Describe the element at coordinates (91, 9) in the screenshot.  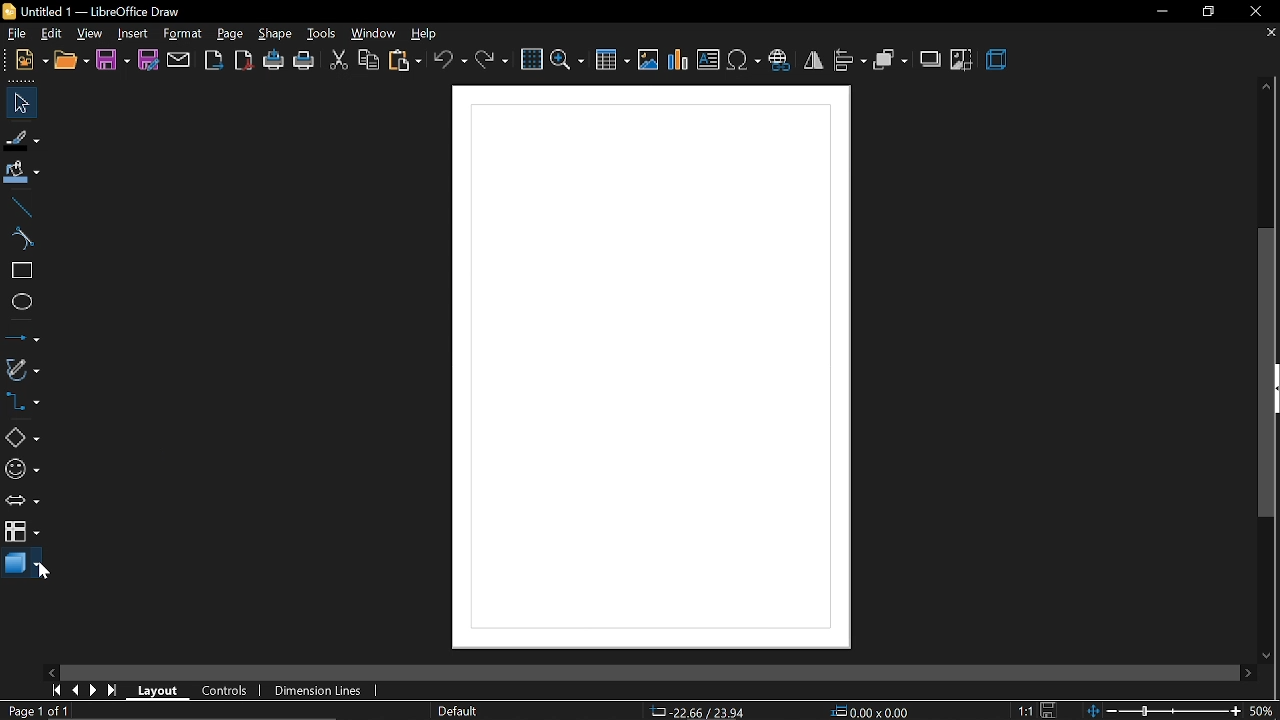
I see `Untitled 1 - LibreOffice Draw` at that location.